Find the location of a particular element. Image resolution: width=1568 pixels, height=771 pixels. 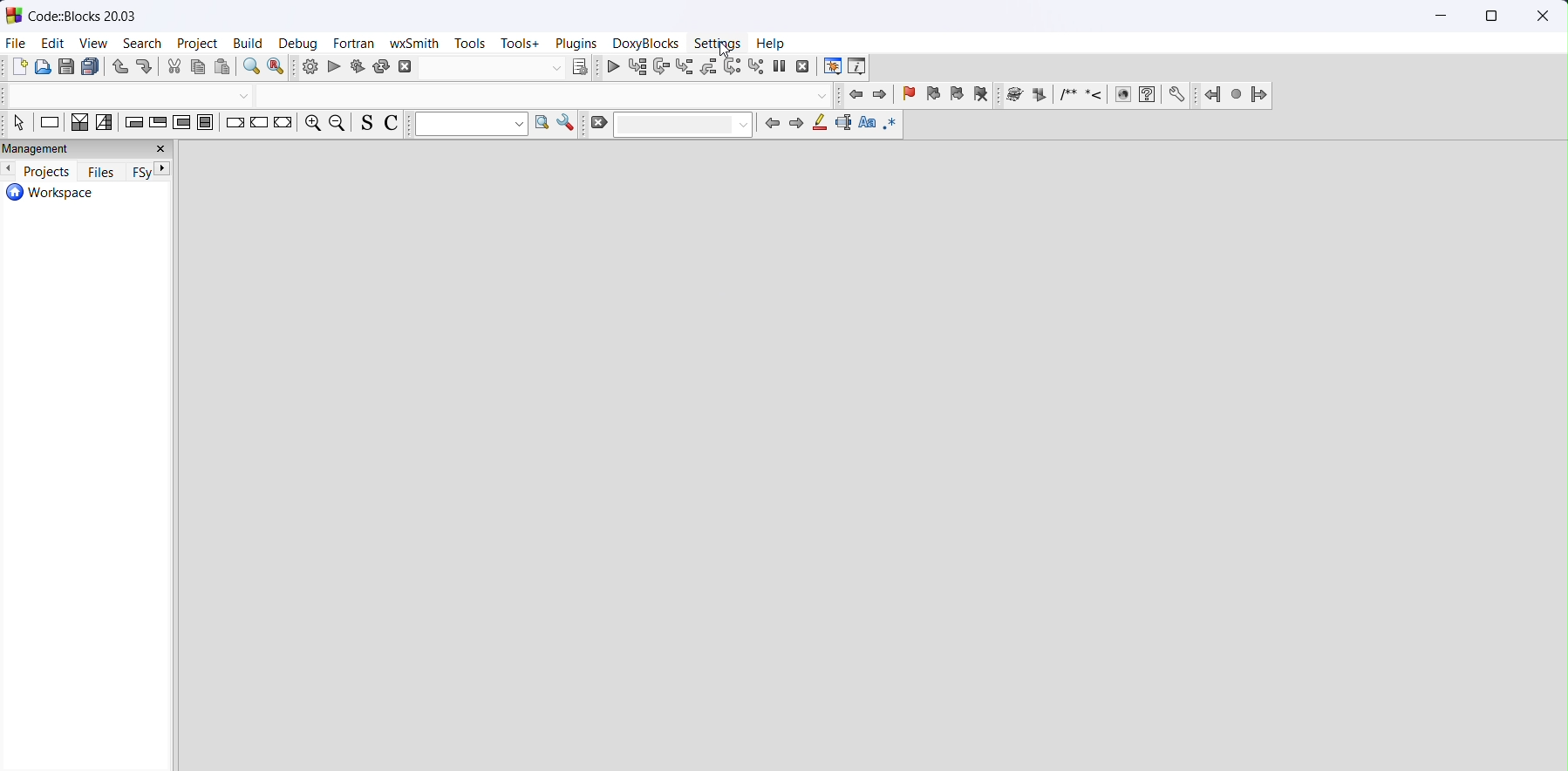

next line is located at coordinates (665, 69).